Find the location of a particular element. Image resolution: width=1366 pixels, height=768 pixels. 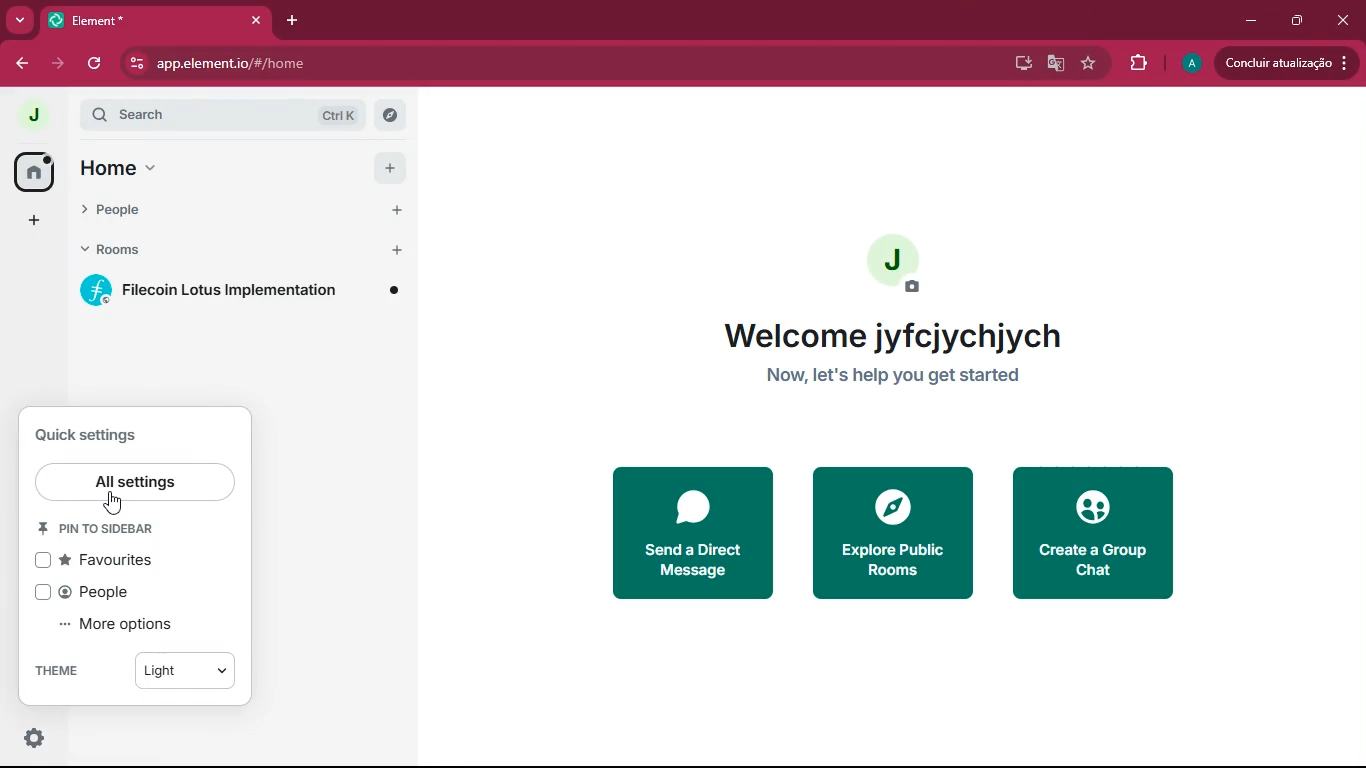

Cursor is located at coordinates (110, 506).